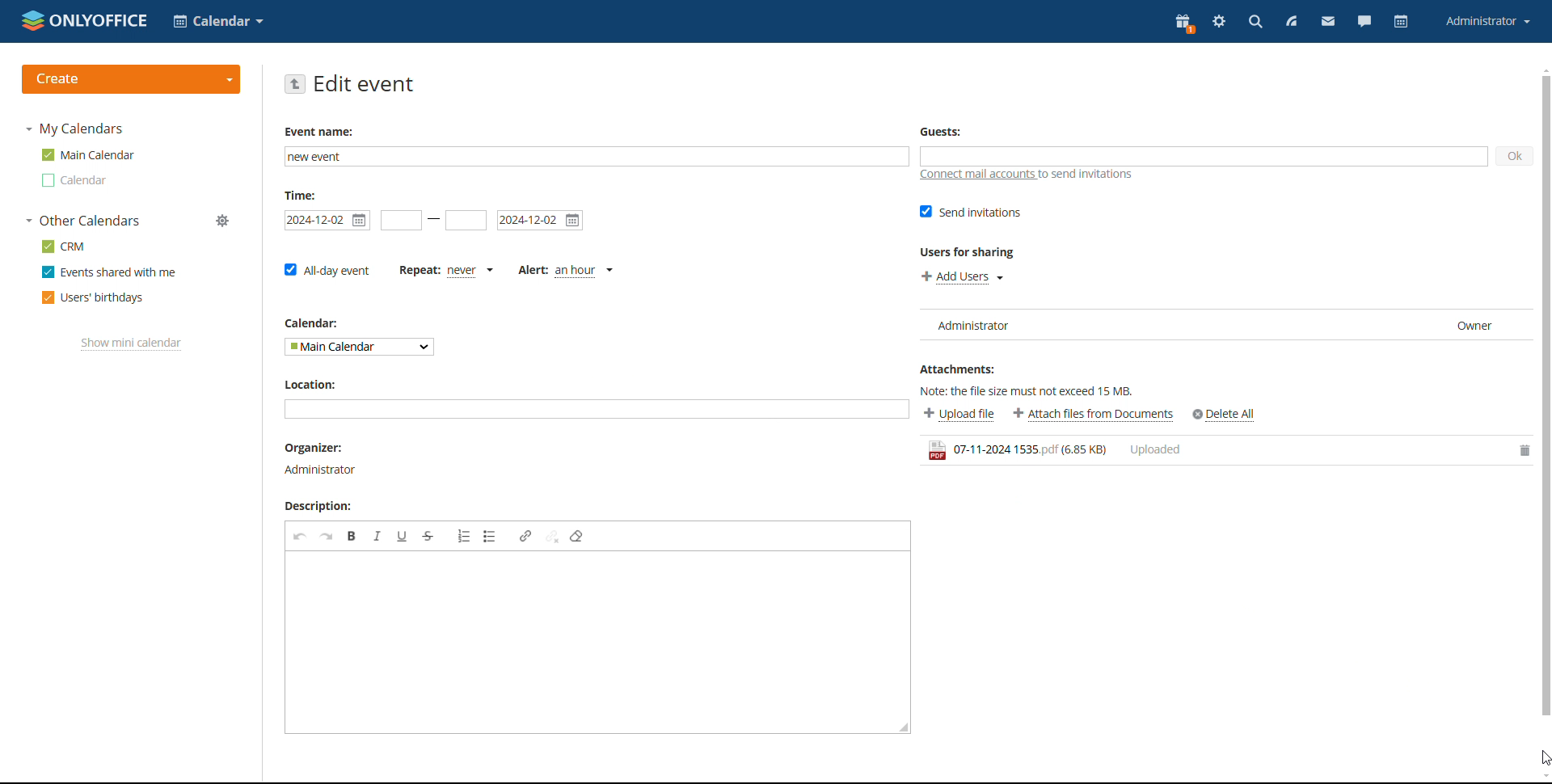 This screenshot has width=1552, height=784. I want to click on end date, so click(540, 221).